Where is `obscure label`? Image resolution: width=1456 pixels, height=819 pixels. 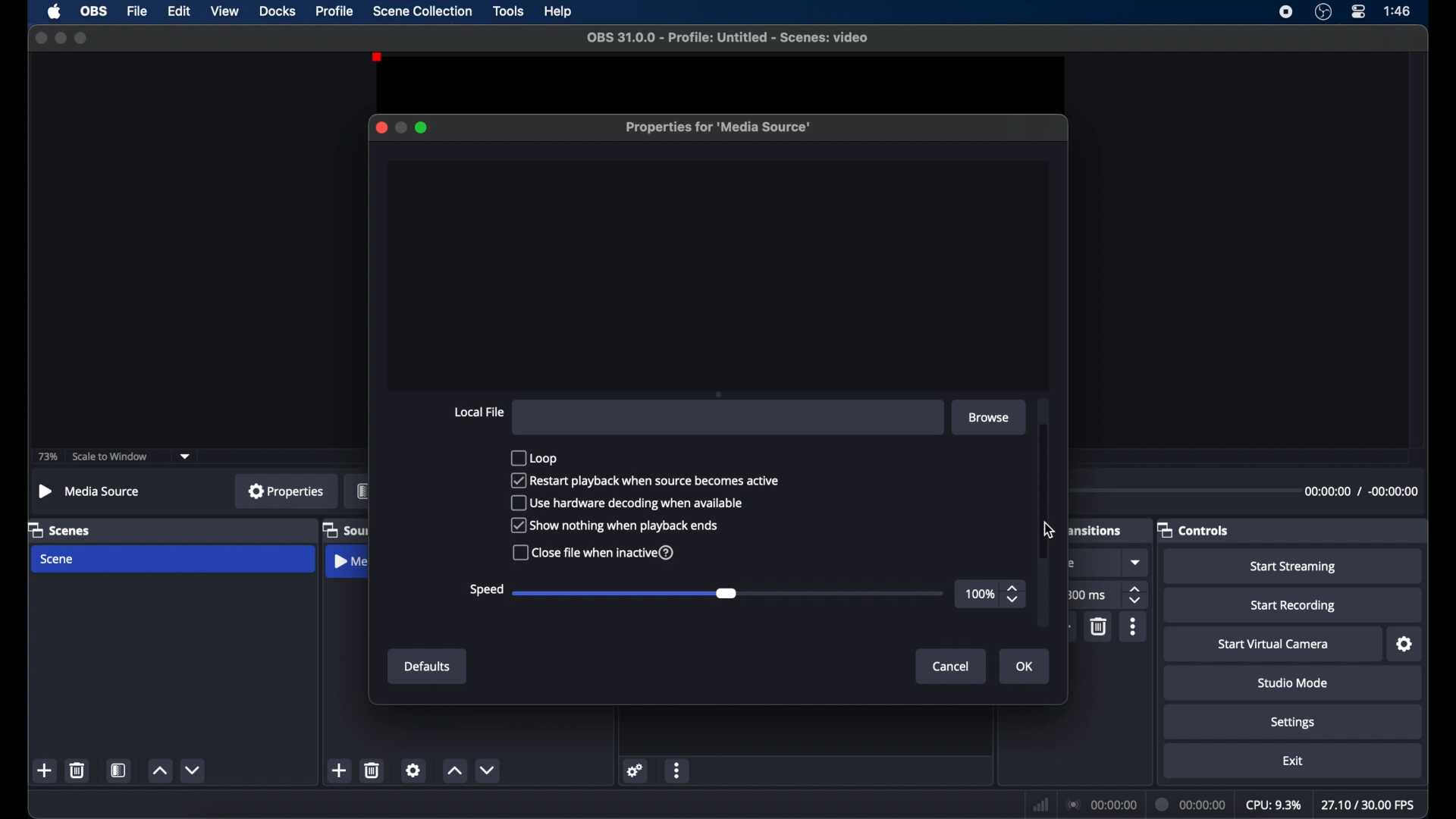 obscure label is located at coordinates (1096, 529).